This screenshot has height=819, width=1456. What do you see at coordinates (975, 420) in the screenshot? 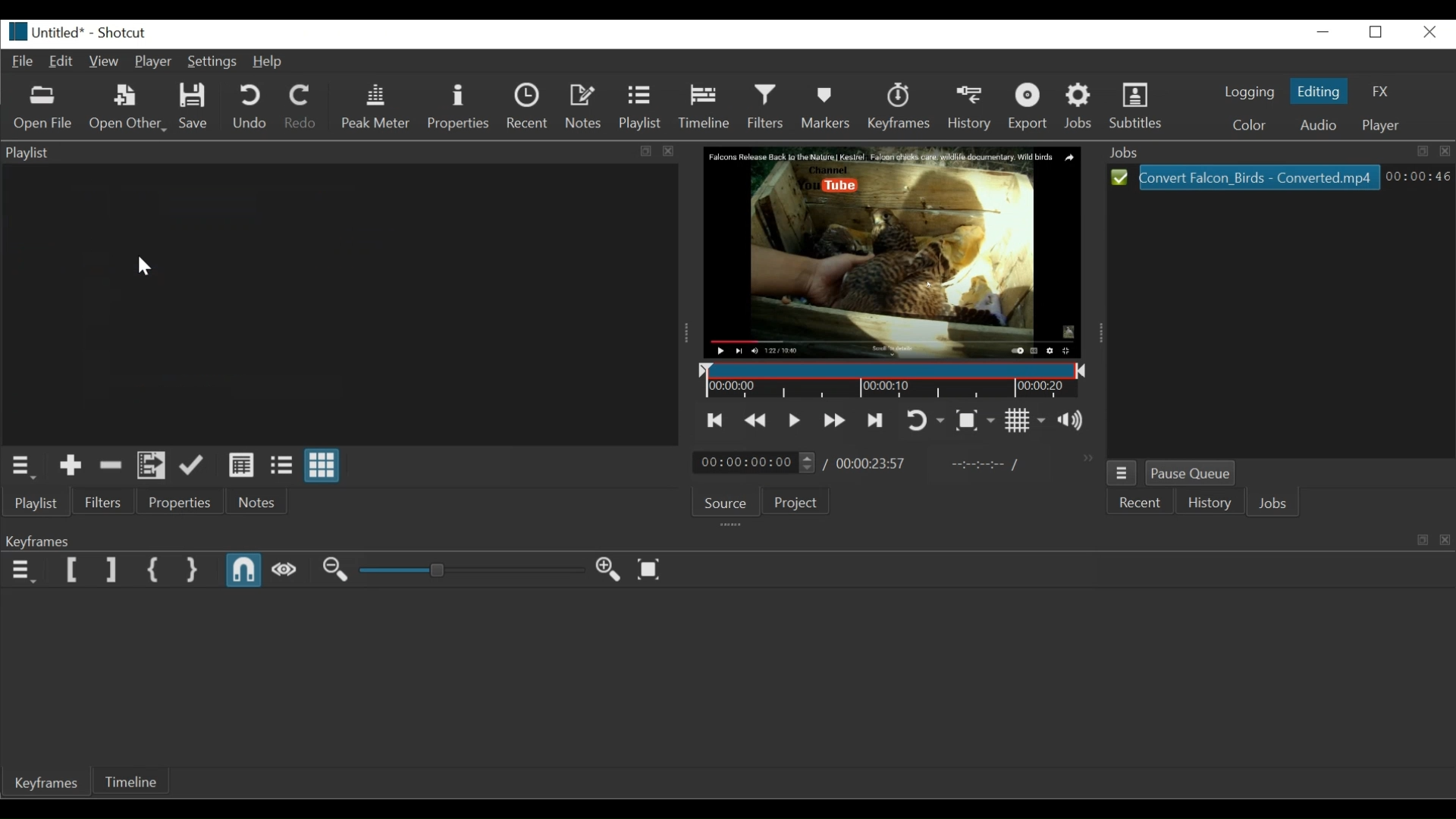
I see `Toggle Zoom` at bounding box center [975, 420].